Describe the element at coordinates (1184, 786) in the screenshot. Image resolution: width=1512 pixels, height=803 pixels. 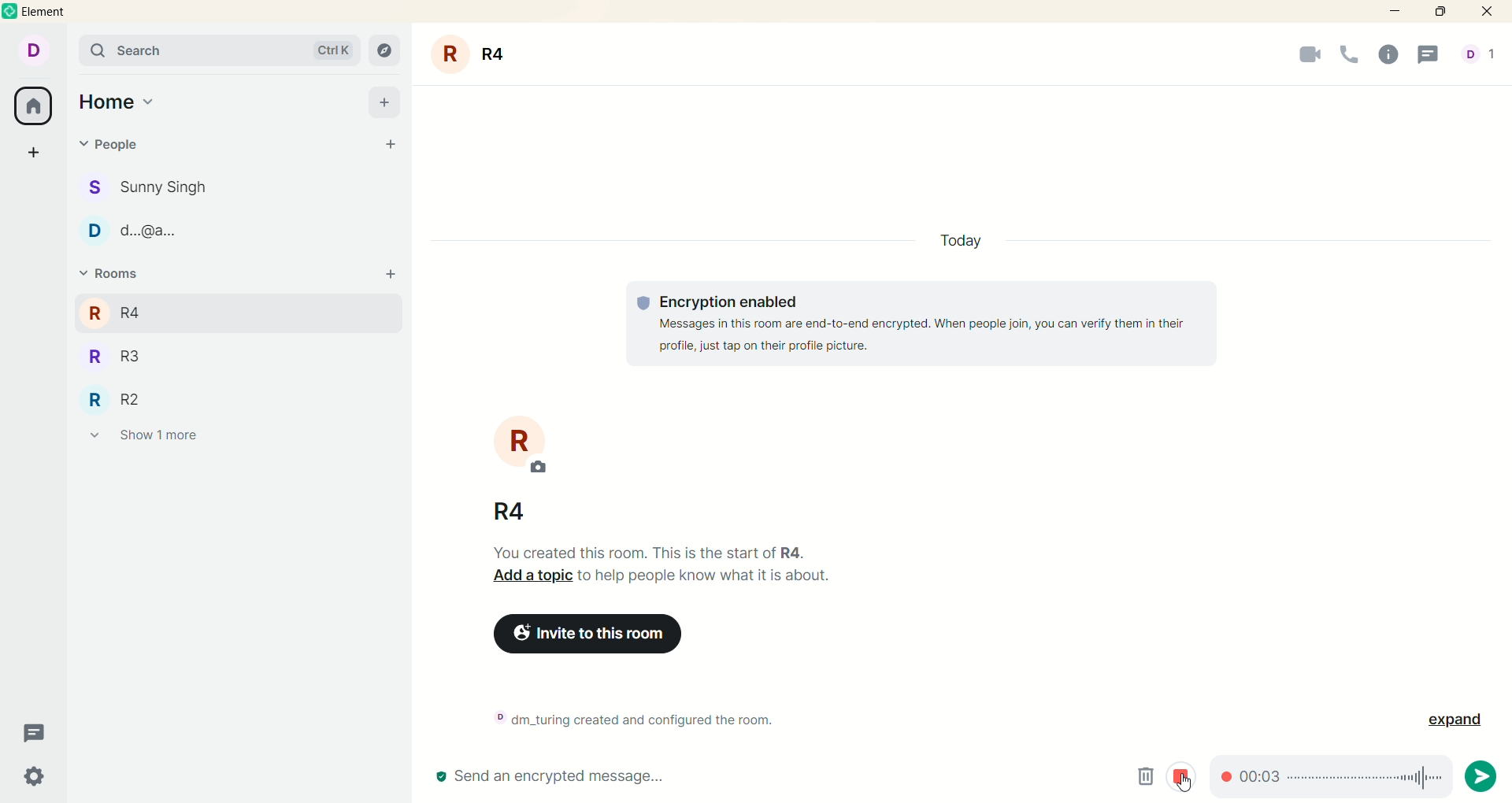
I see `cursor` at that location.